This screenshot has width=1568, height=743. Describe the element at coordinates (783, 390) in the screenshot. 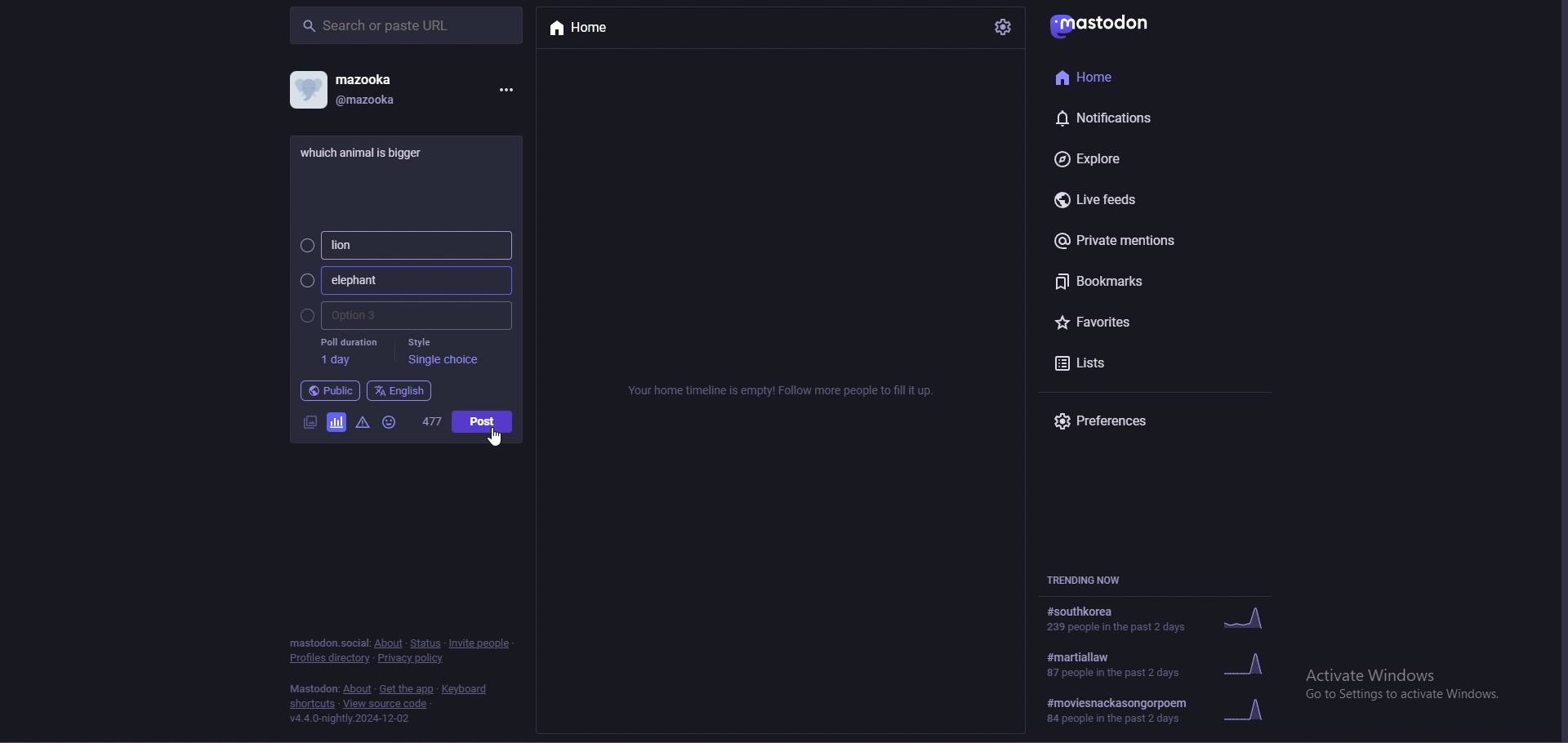

I see `info` at that location.